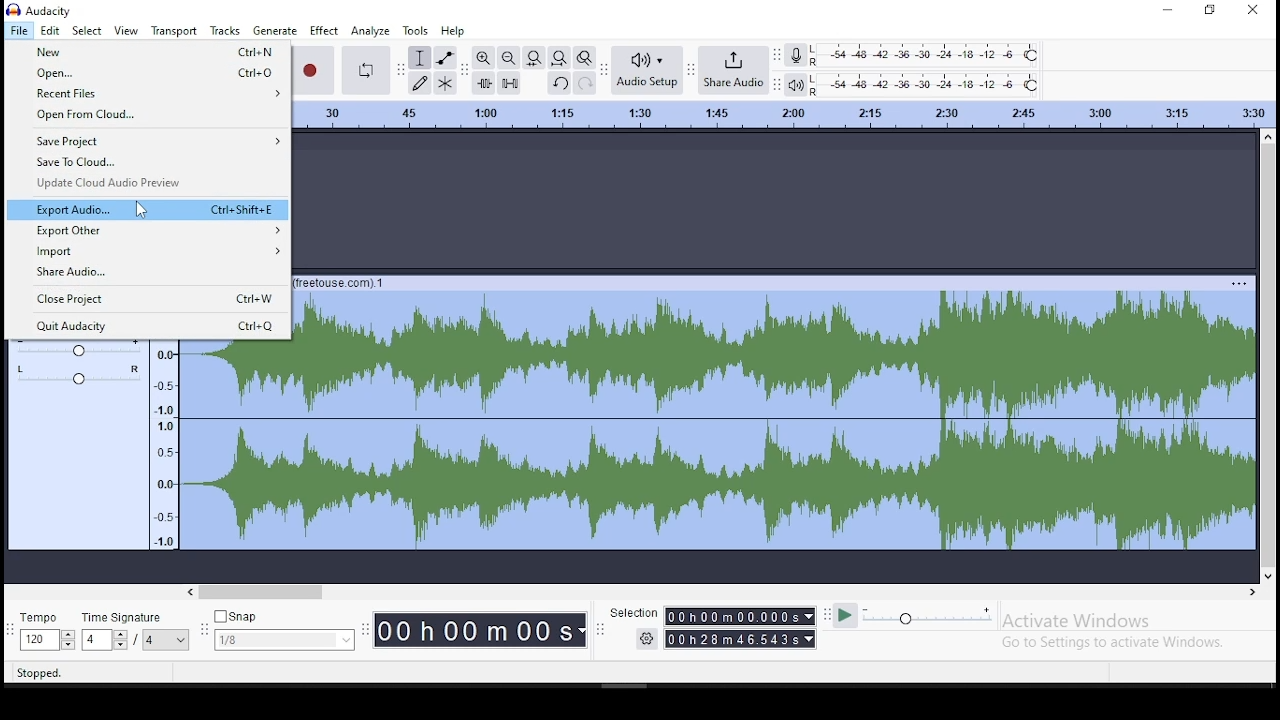 Image resolution: width=1280 pixels, height=720 pixels. Describe the element at coordinates (50, 30) in the screenshot. I see `edit` at that location.